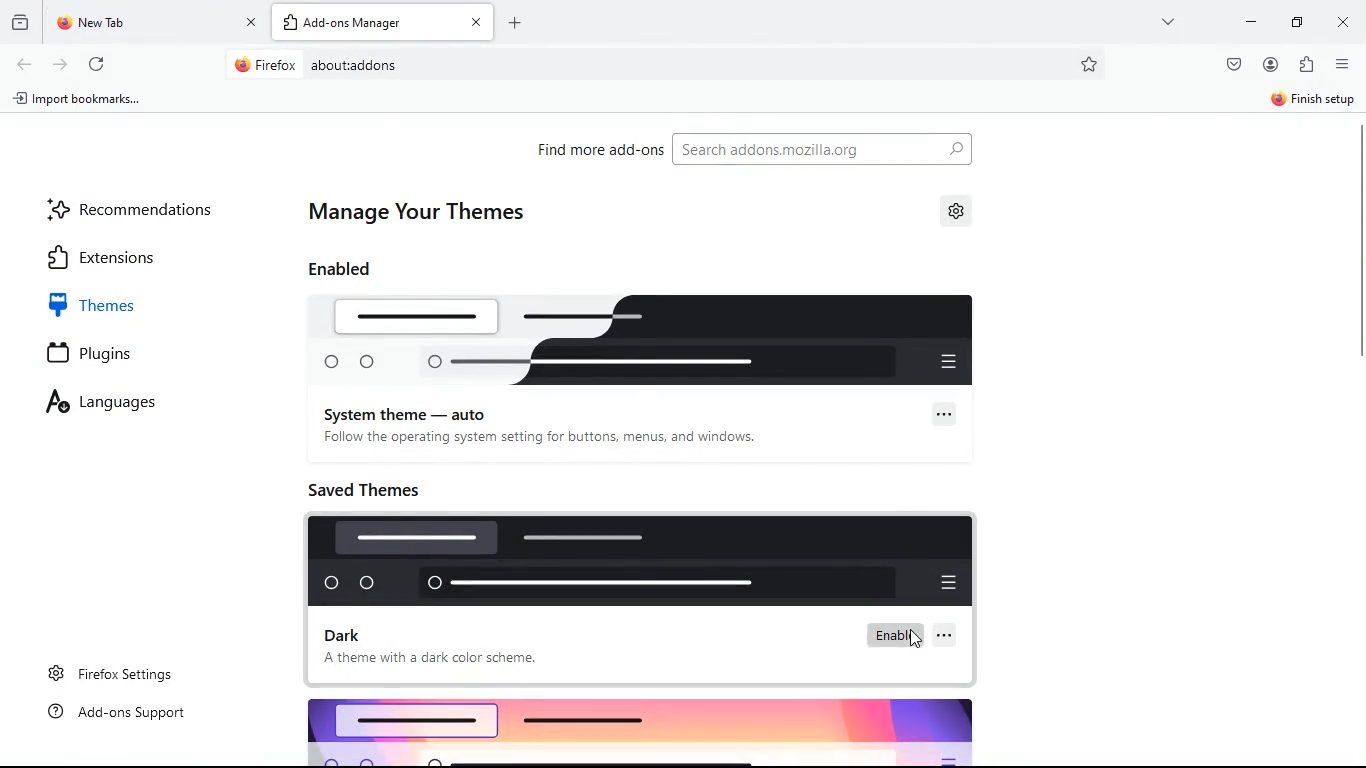  What do you see at coordinates (653, 340) in the screenshot?
I see `logo` at bounding box center [653, 340].